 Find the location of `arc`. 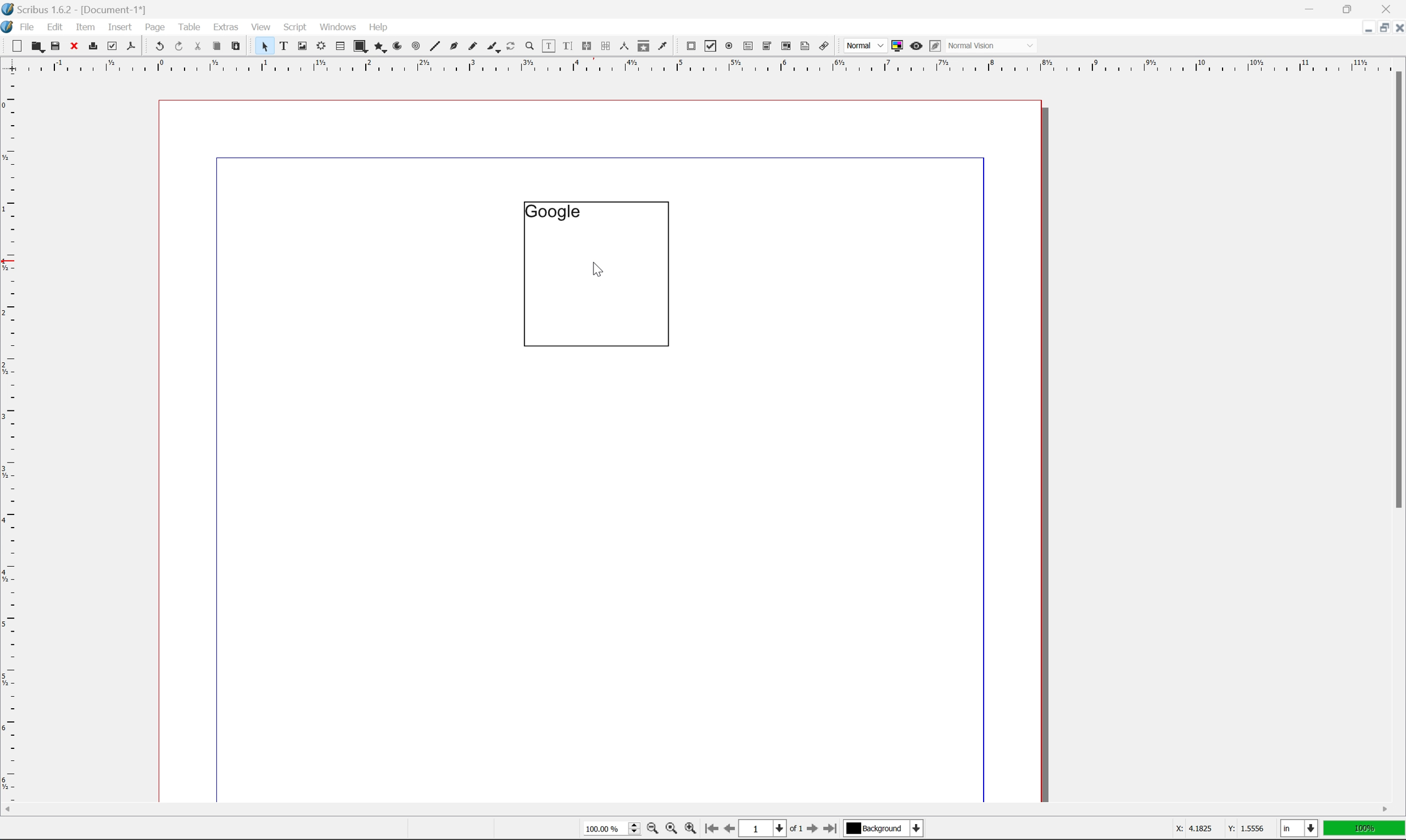

arc is located at coordinates (399, 46).